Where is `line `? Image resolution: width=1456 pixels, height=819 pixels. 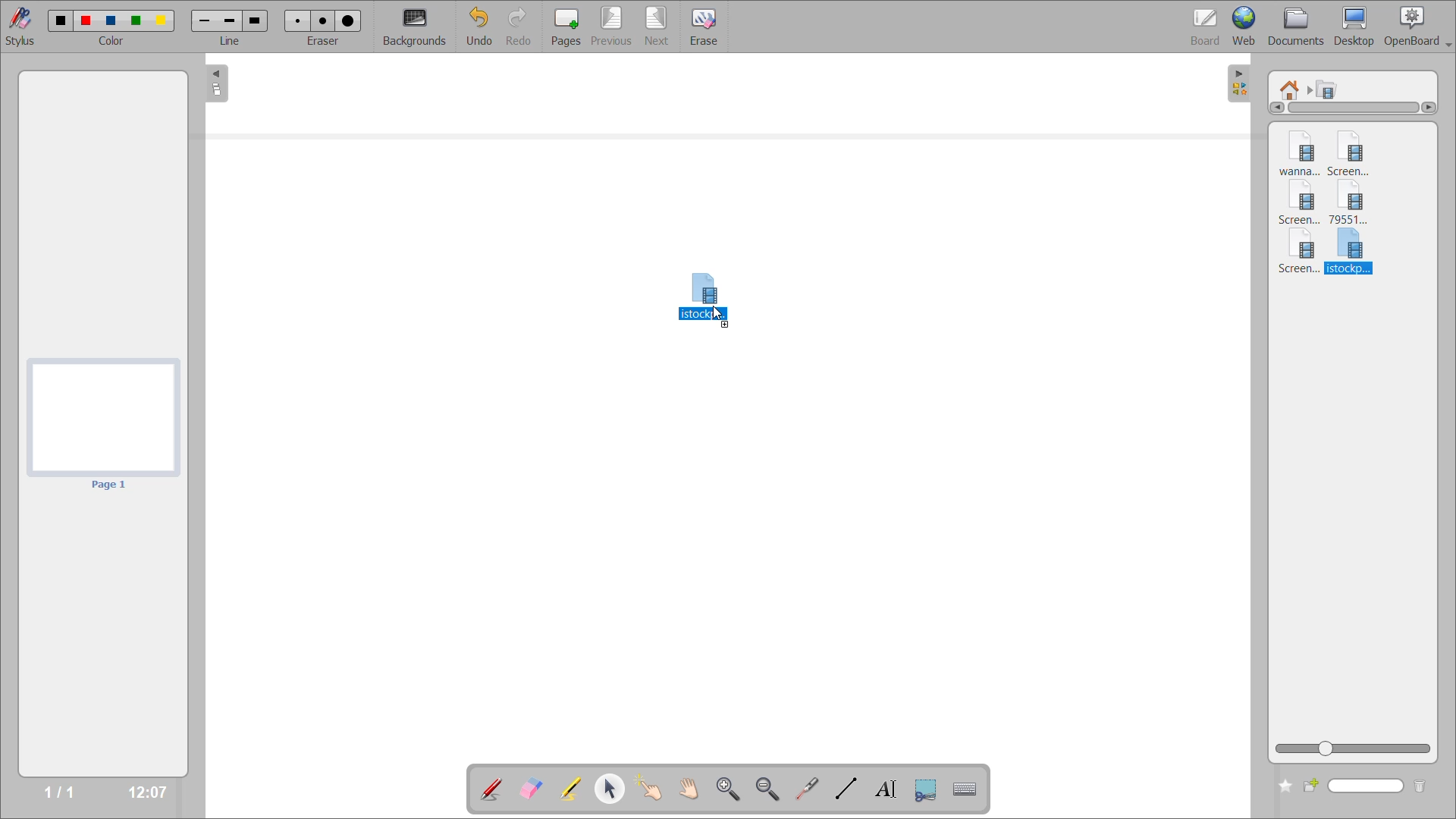
line  is located at coordinates (231, 44).